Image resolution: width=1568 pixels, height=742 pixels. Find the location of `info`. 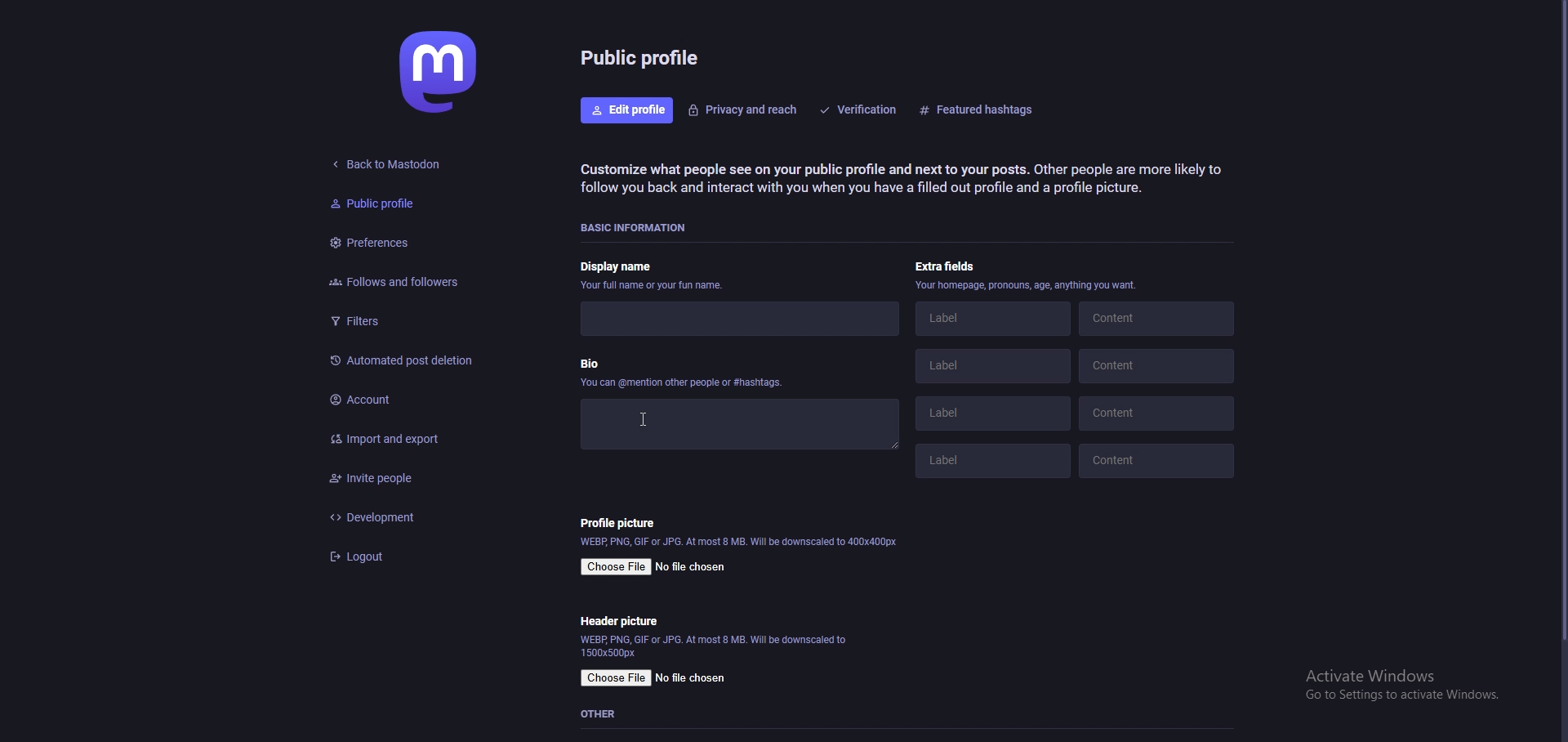

info is located at coordinates (739, 541).